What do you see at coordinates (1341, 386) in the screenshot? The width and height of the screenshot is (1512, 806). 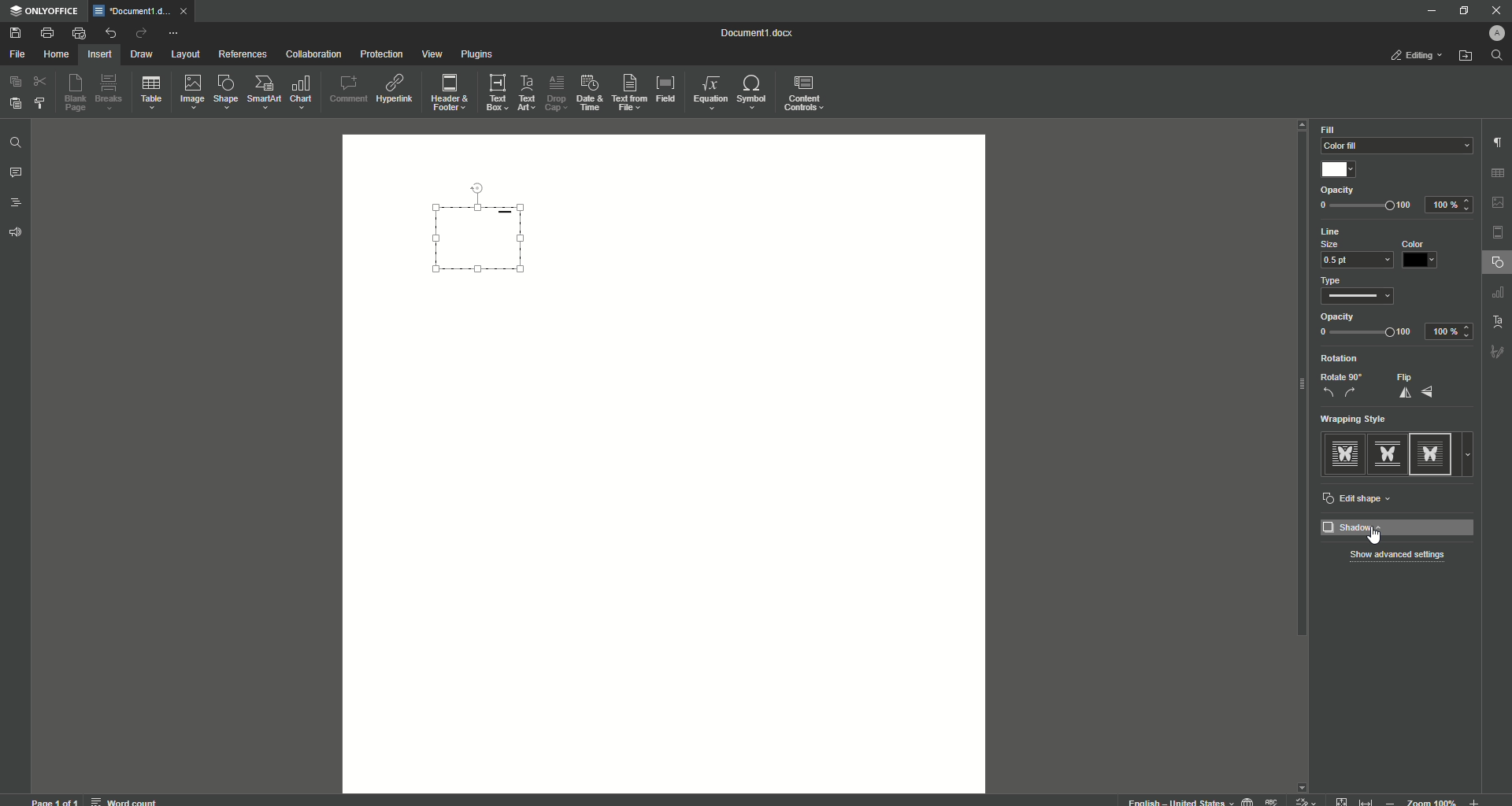 I see `Rotate 90 deg` at bounding box center [1341, 386].